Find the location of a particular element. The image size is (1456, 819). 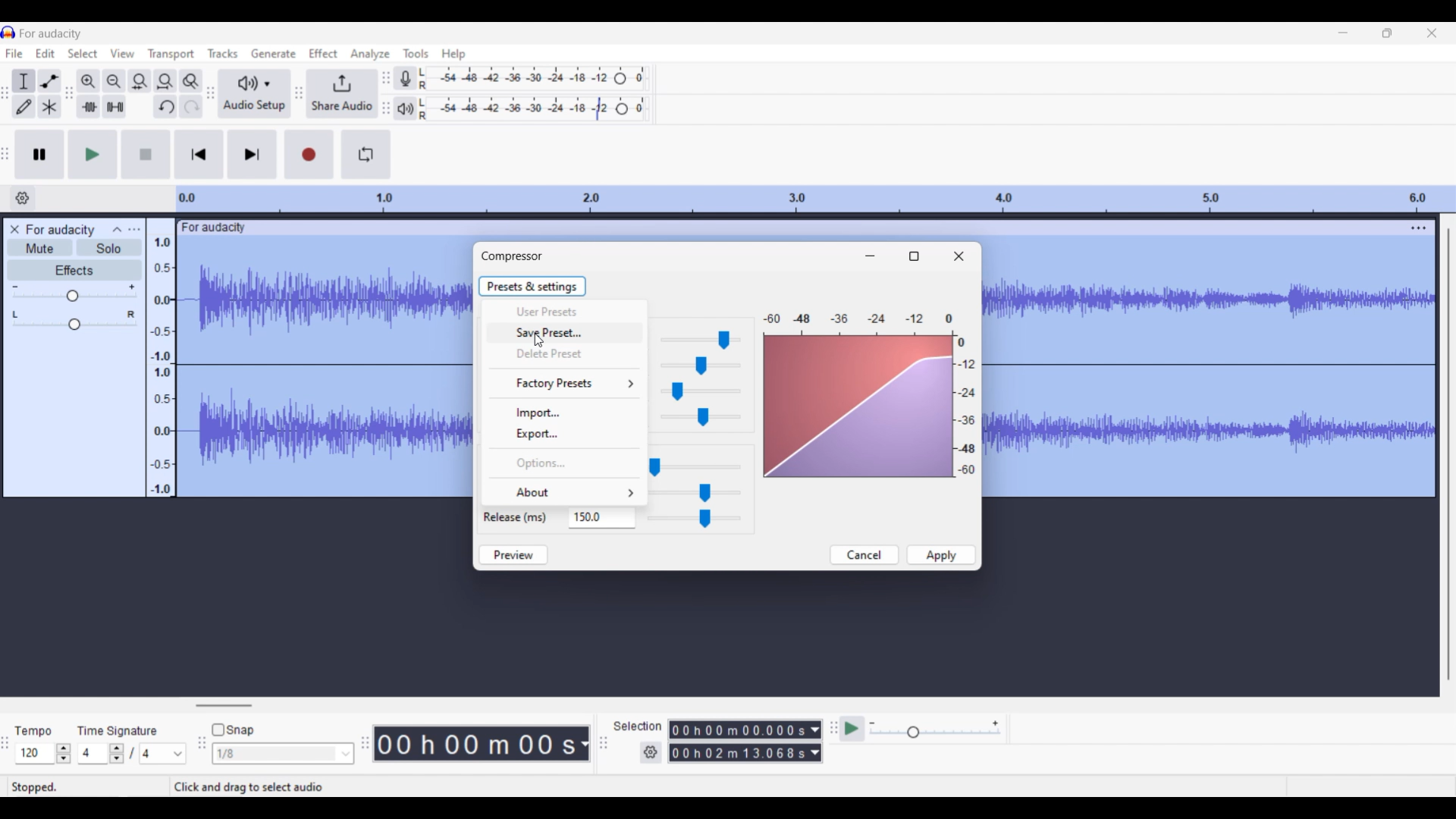

Stop is located at coordinates (146, 154).